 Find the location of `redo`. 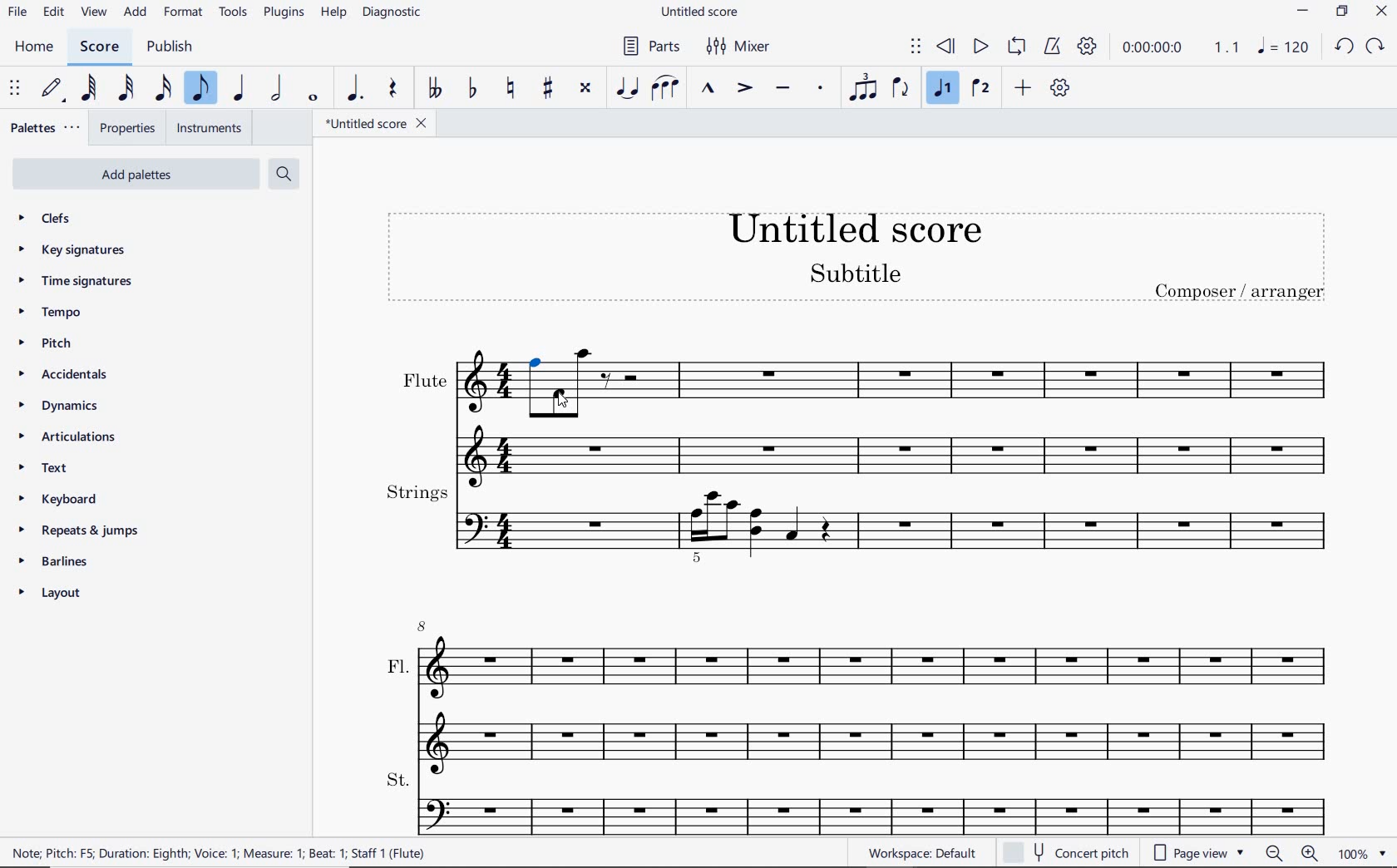

redo is located at coordinates (1376, 47).